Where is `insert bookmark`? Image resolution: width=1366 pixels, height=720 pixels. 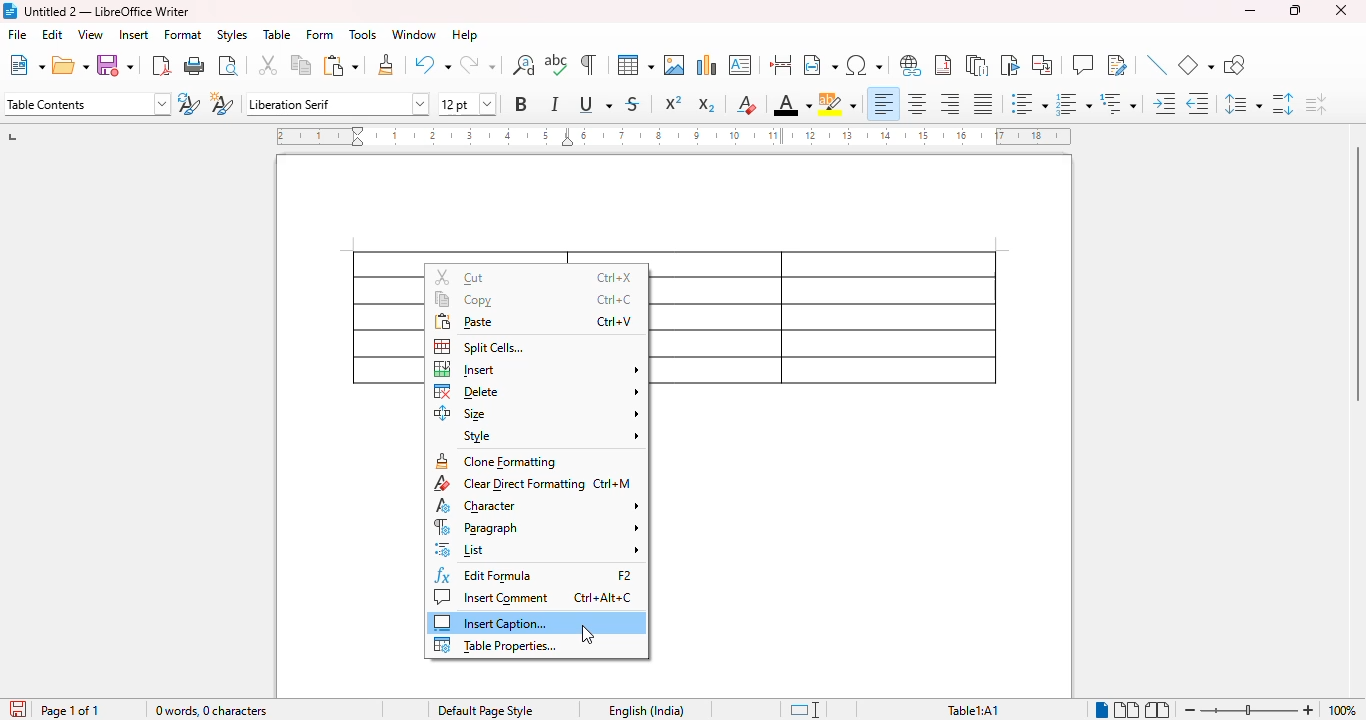
insert bookmark is located at coordinates (1011, 65).